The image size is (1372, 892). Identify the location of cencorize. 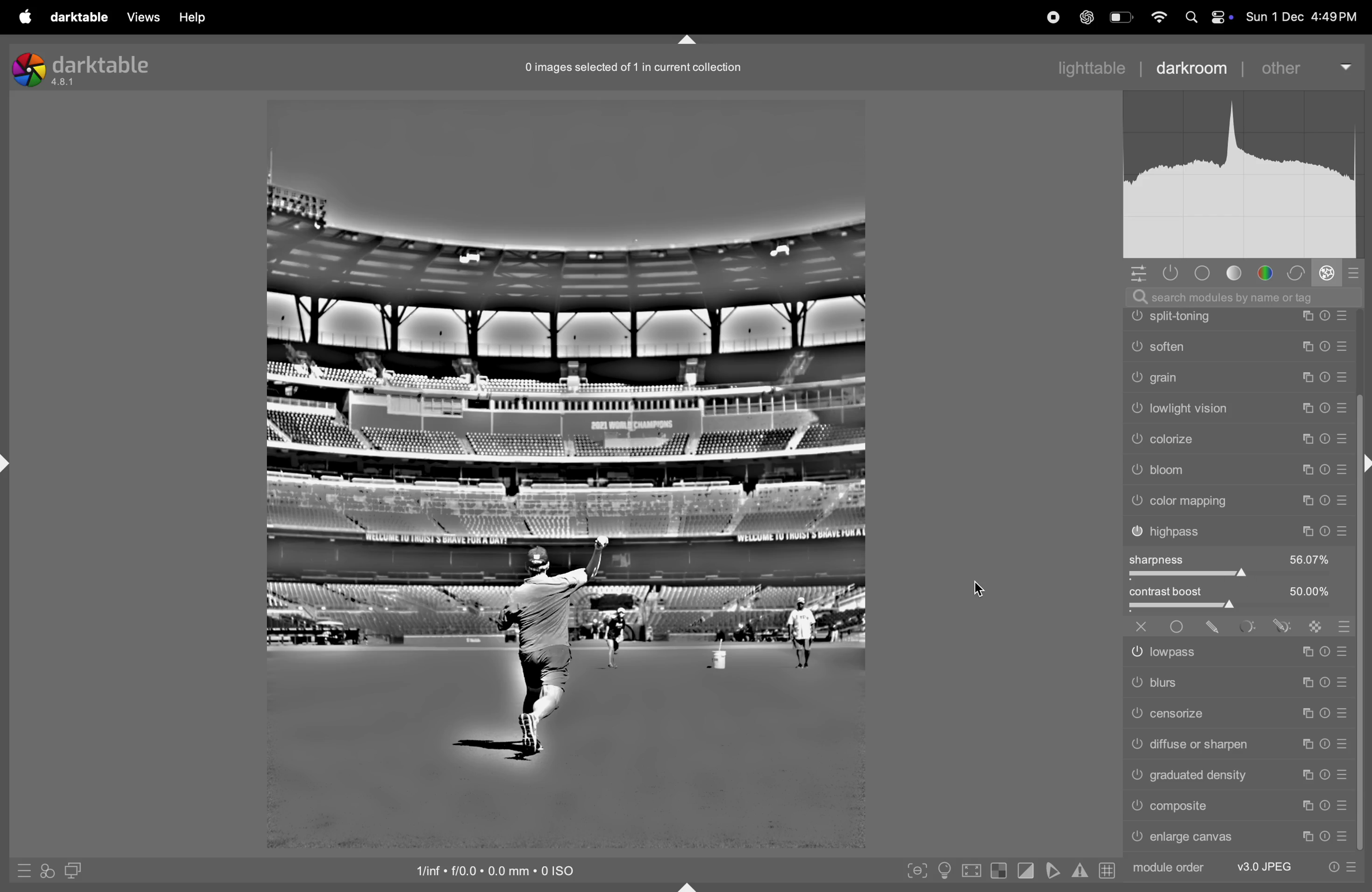
(1237, 713).